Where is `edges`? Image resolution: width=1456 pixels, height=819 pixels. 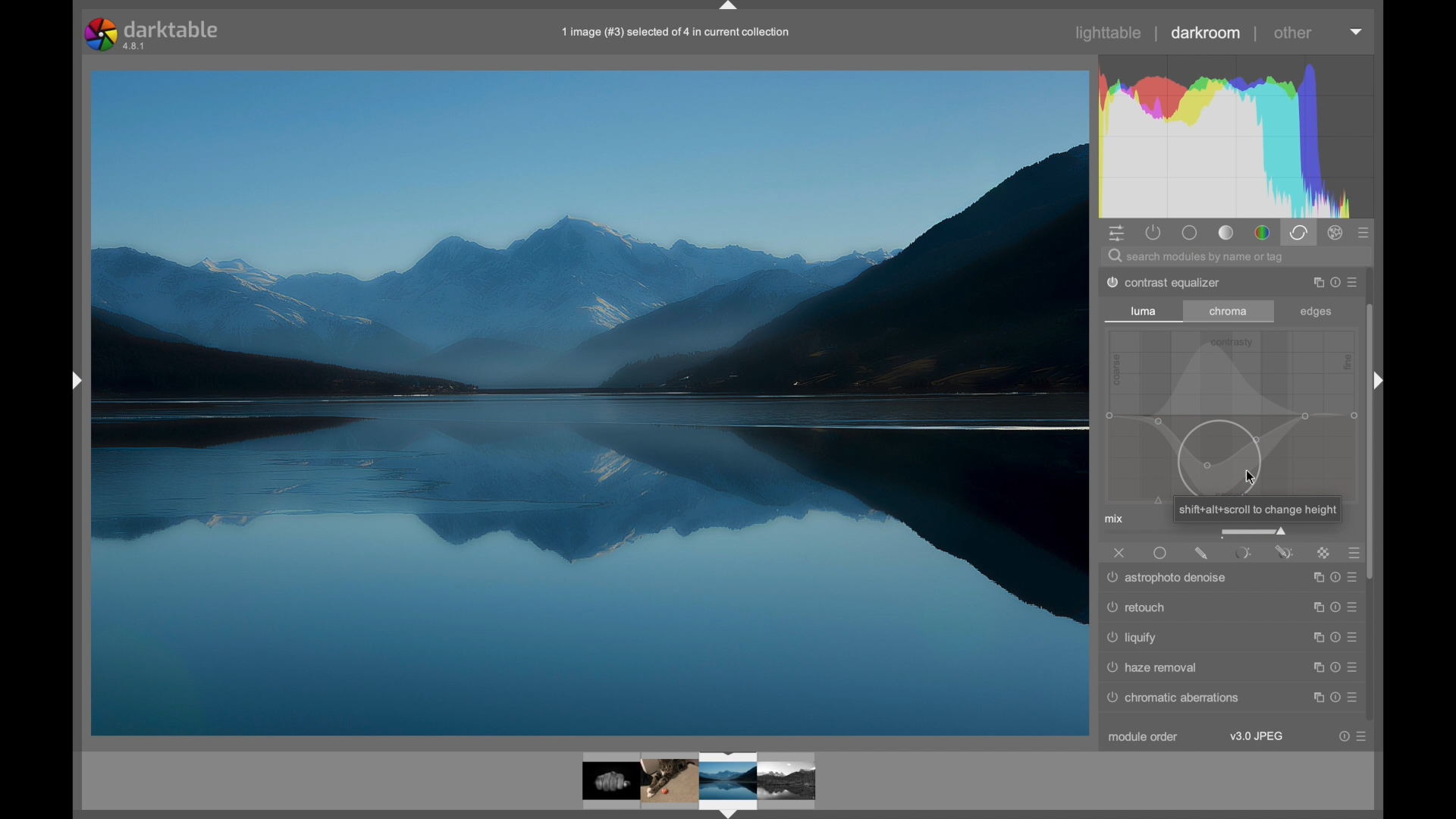 edges is located at coordinates (1316, 312).